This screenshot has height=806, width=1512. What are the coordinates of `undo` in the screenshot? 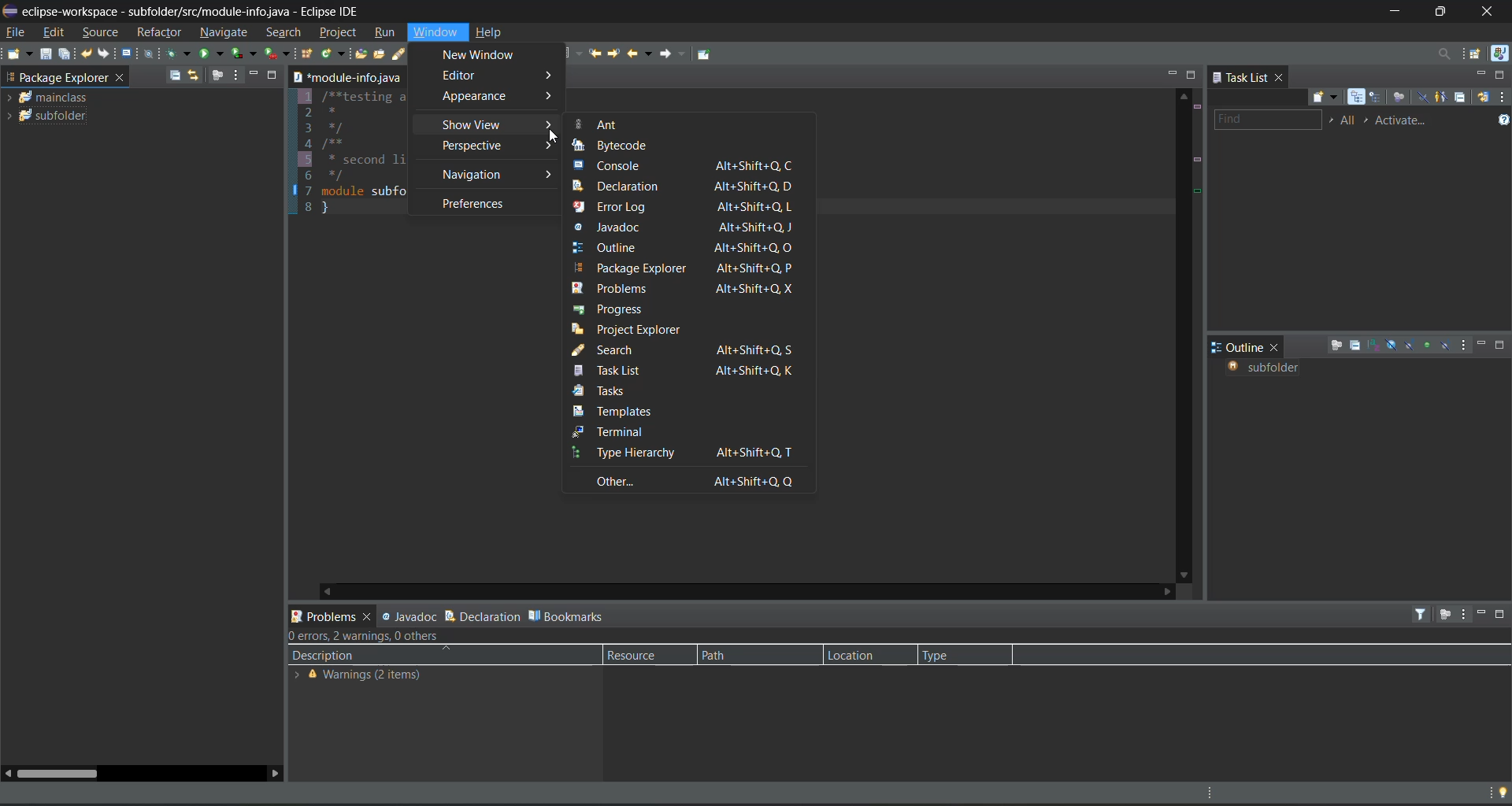 It's located at (87, 54).